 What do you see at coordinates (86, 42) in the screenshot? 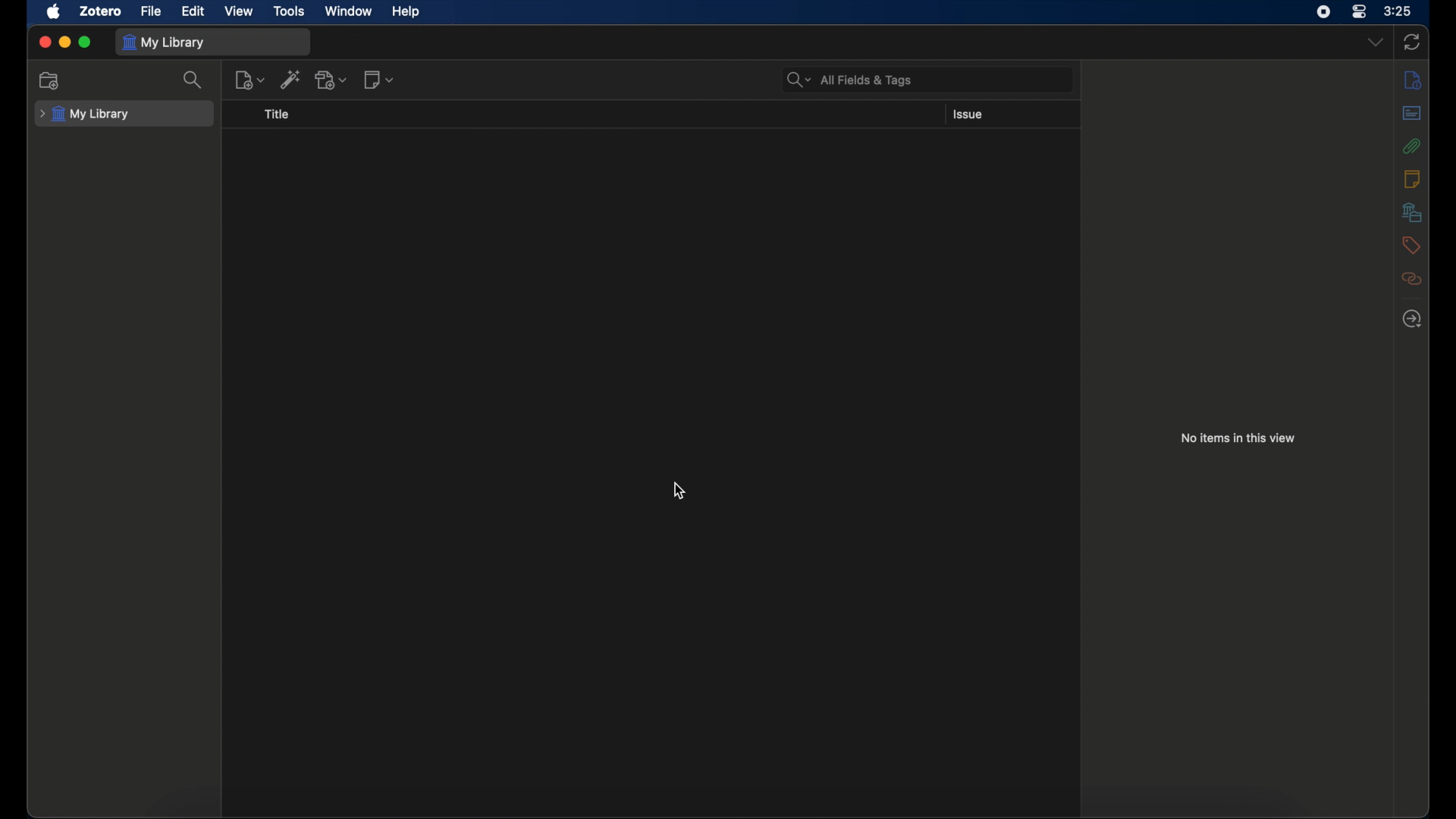
I see `maximize` at bounding box center [86, 42].